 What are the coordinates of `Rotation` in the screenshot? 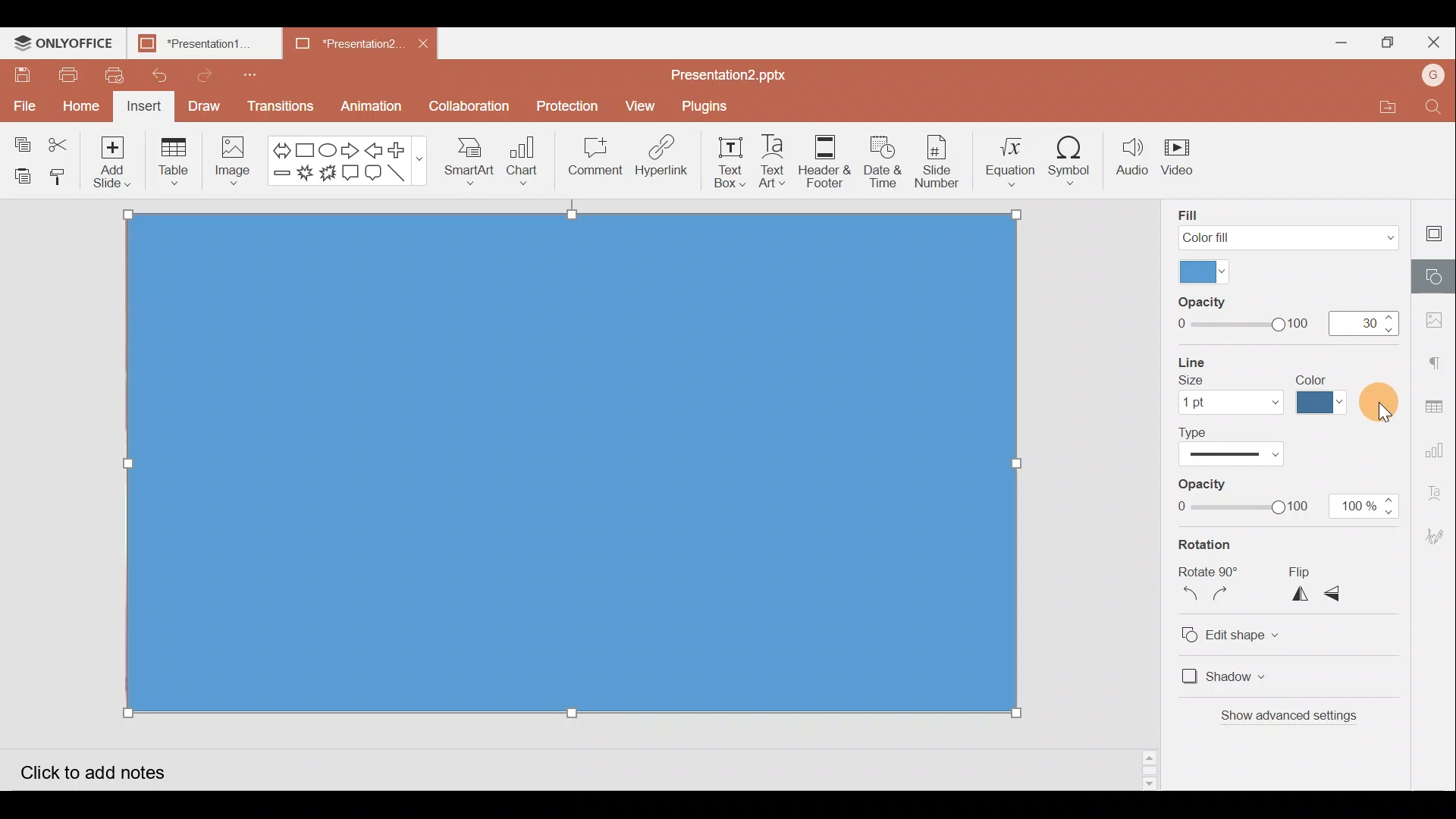 It's located at (1215, 546).